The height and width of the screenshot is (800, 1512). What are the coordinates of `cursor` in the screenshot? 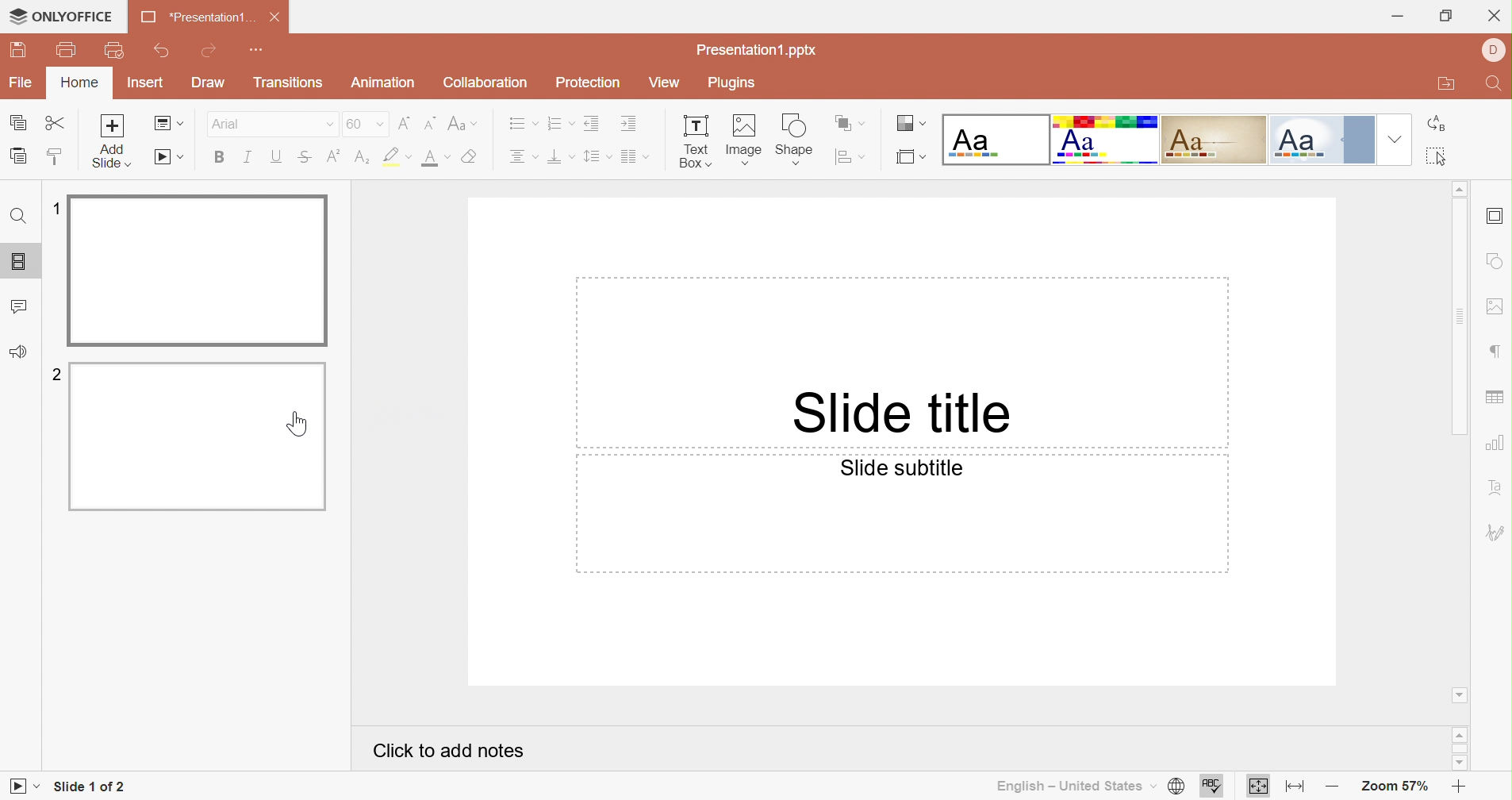 It's located at (297, 425).